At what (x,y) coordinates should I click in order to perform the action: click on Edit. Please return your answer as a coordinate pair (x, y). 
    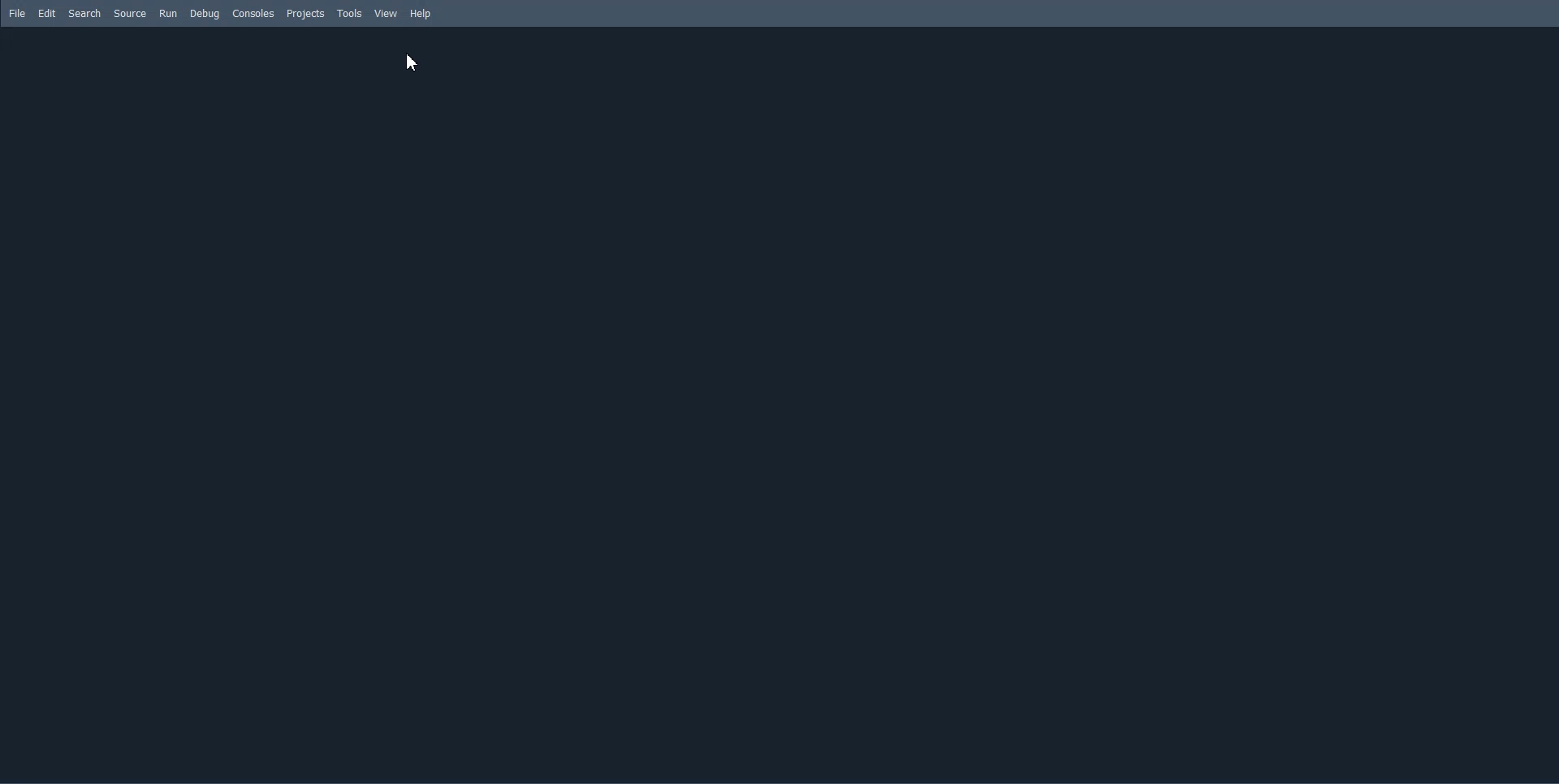
    Looking at the image, I should click on (47, 13).